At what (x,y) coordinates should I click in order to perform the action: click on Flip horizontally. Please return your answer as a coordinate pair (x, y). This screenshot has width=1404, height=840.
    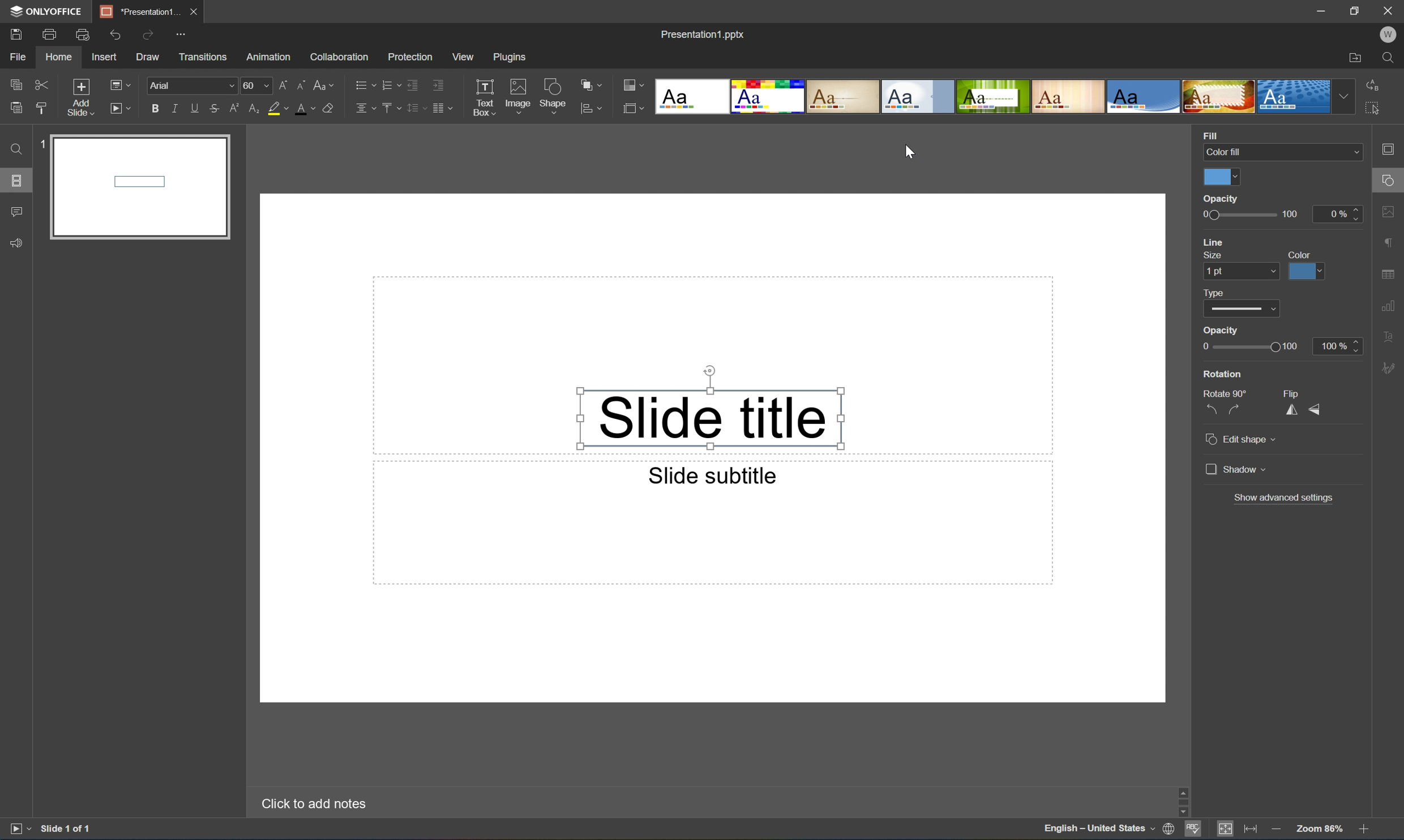
    Looking at the image, I should click on (1291, 408).